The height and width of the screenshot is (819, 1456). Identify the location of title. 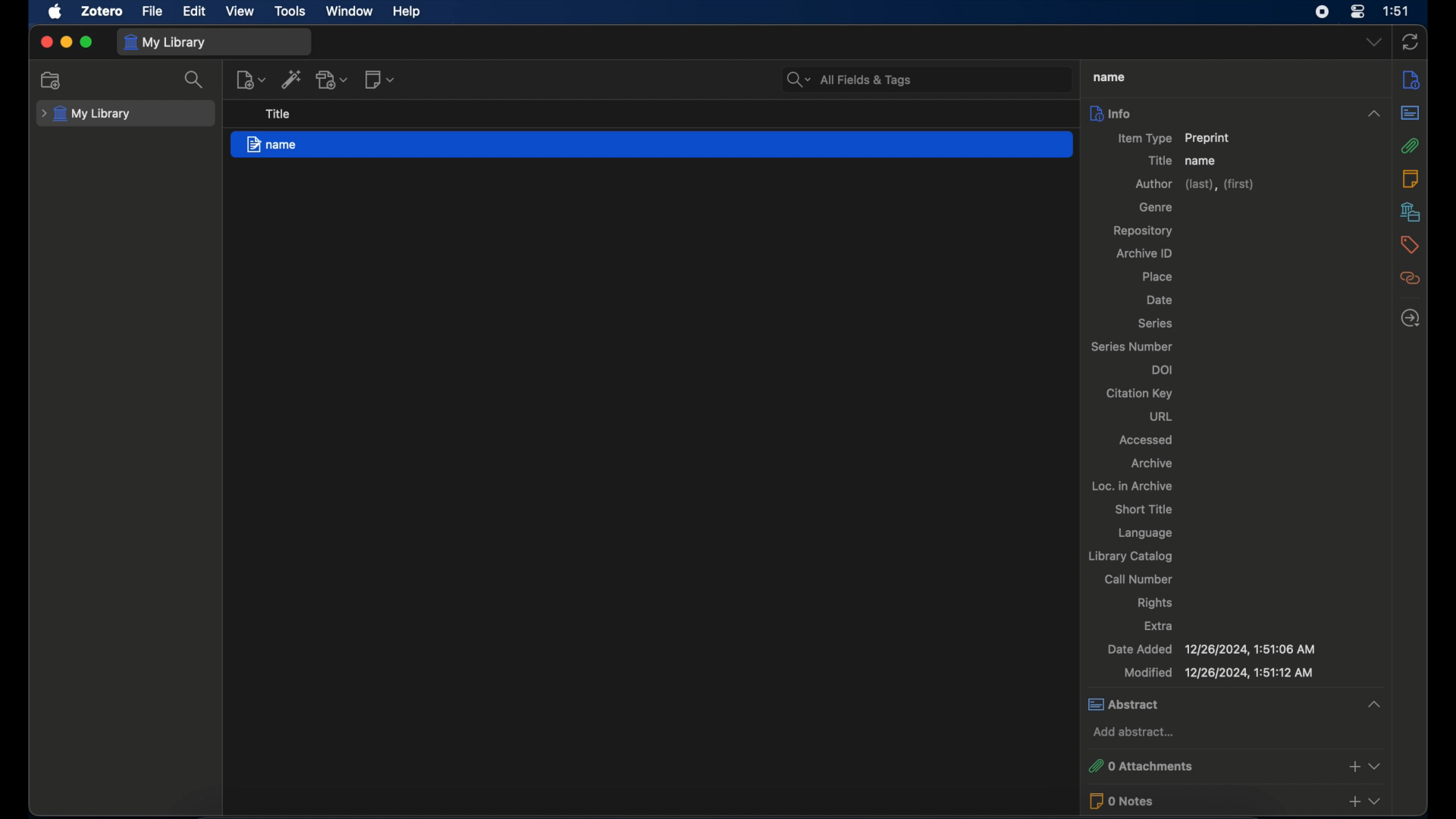
(278, 114).